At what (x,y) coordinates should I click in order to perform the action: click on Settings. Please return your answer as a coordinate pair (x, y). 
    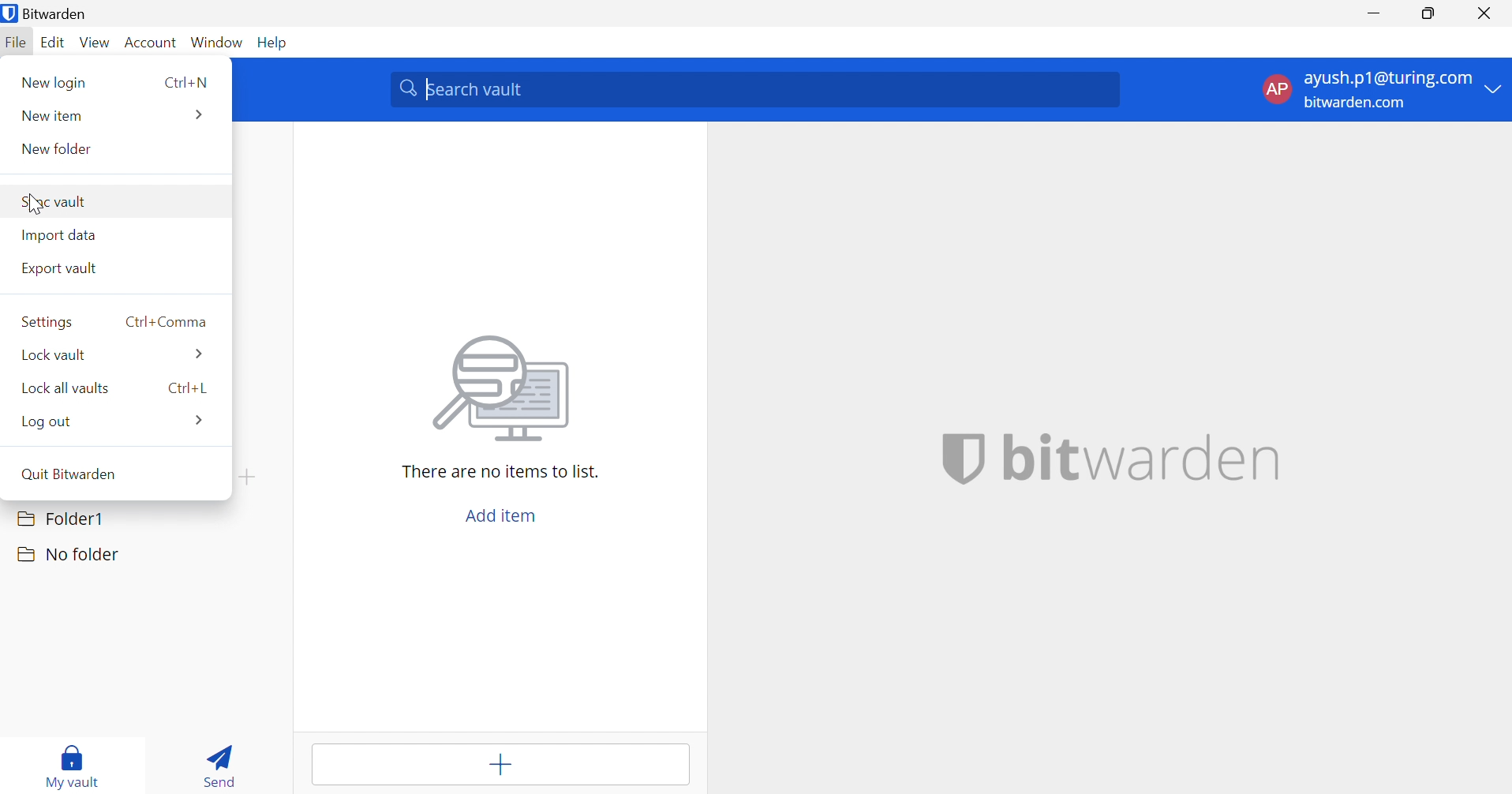
    Looking at the image, I should click on (47, 322).